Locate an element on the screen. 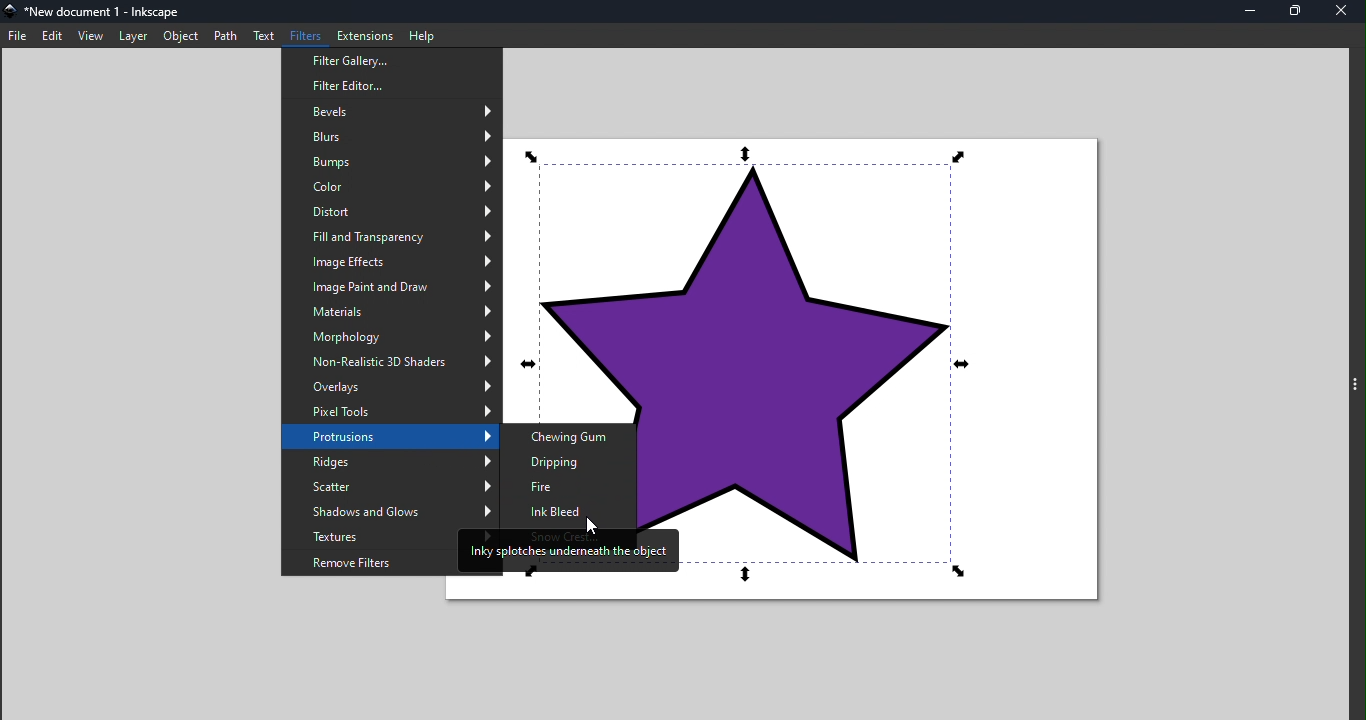  Inky splotches underneath the object is located at coordinates (571, 552).